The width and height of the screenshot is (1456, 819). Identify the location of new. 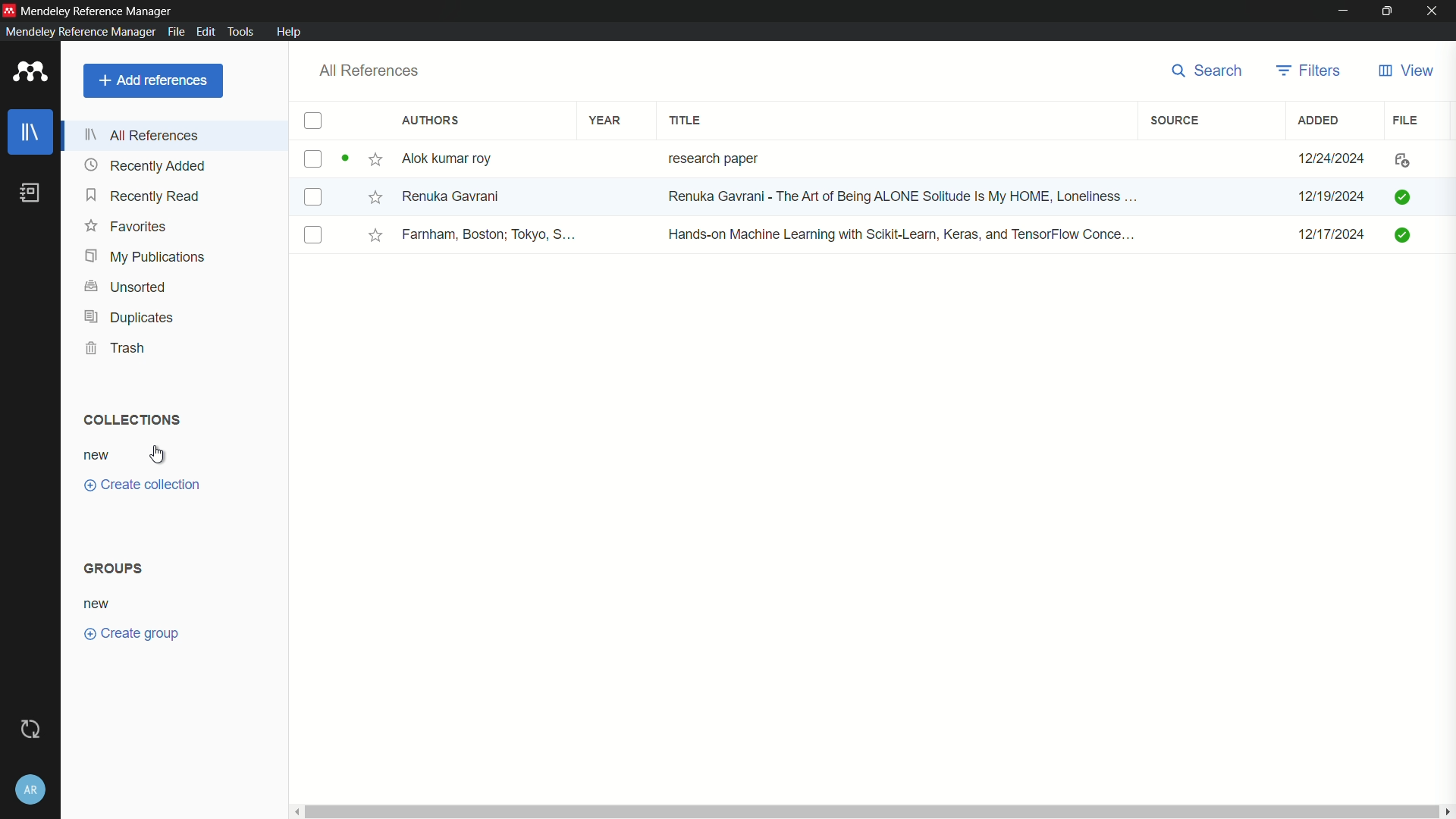
(99, 457).